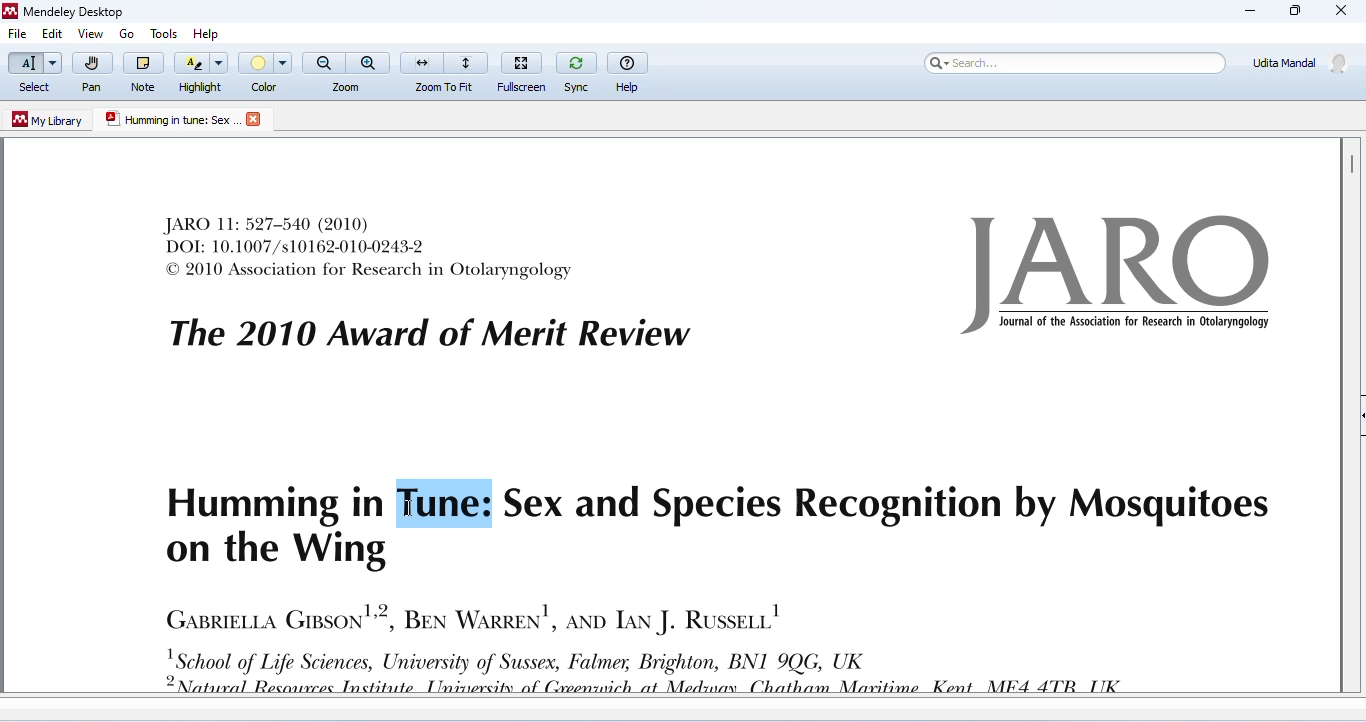 This screenshot has width=1366, height=722. What do you see at coordinates (33, 73) in the screenshot?
I see `select` at bounding box center [33, 73].